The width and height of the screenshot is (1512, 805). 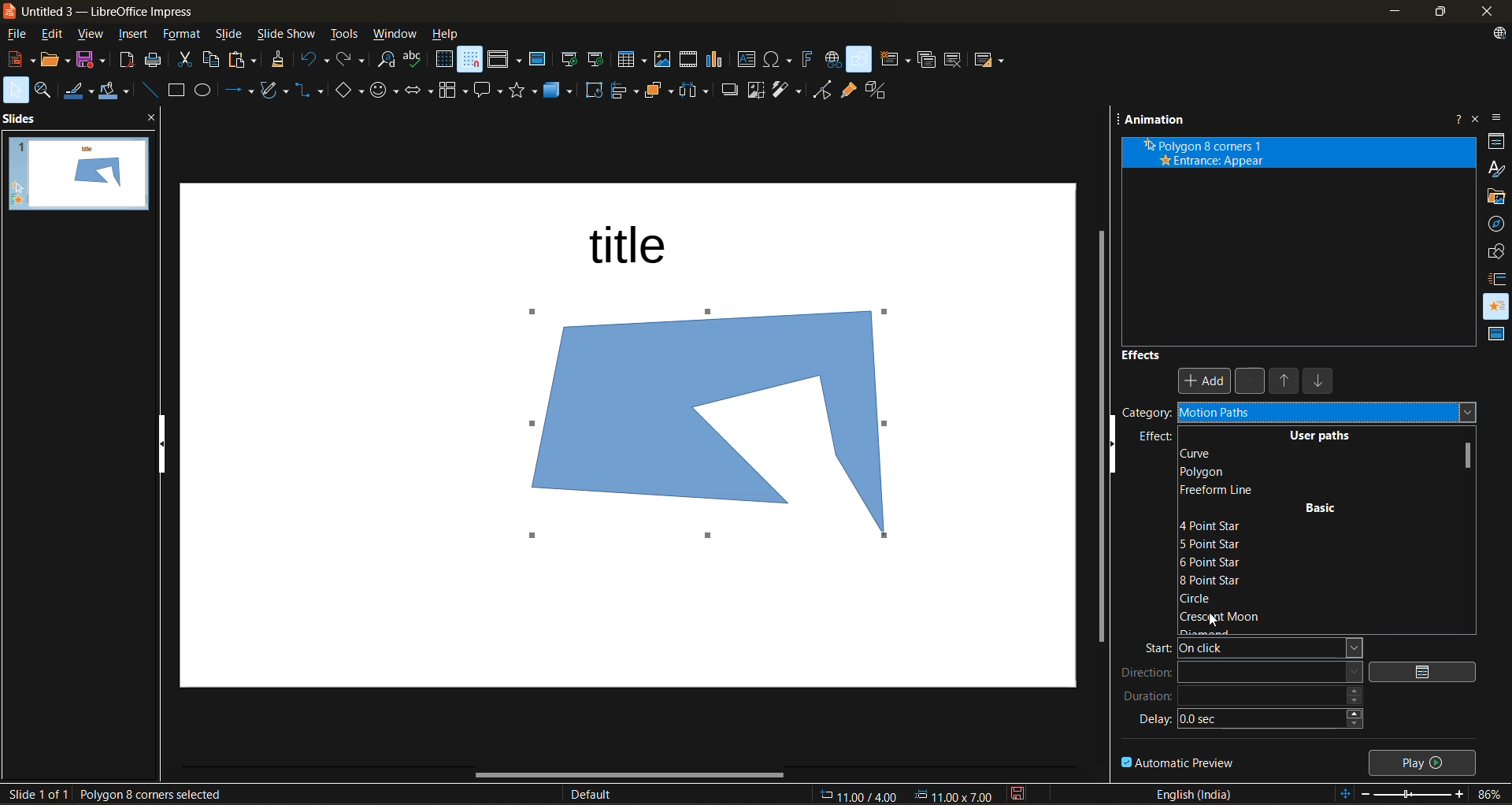 I want to click on view, so click(x=91, y=36).